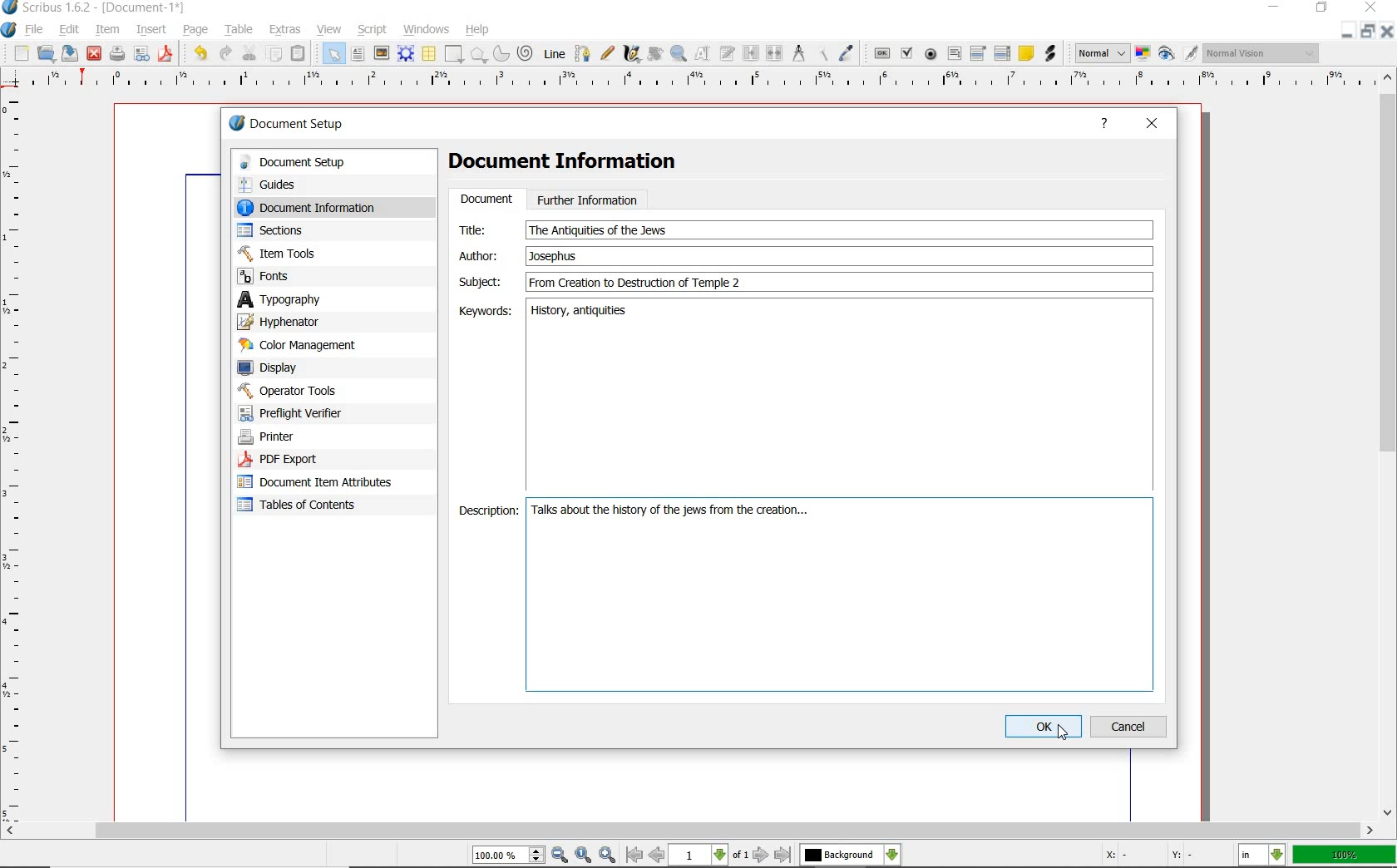 The height and width of the screenshot is (868, 1397). What do you see at coordinates (373, 30) in the screenshot?
I see `script` at bounding box center [373, 30].